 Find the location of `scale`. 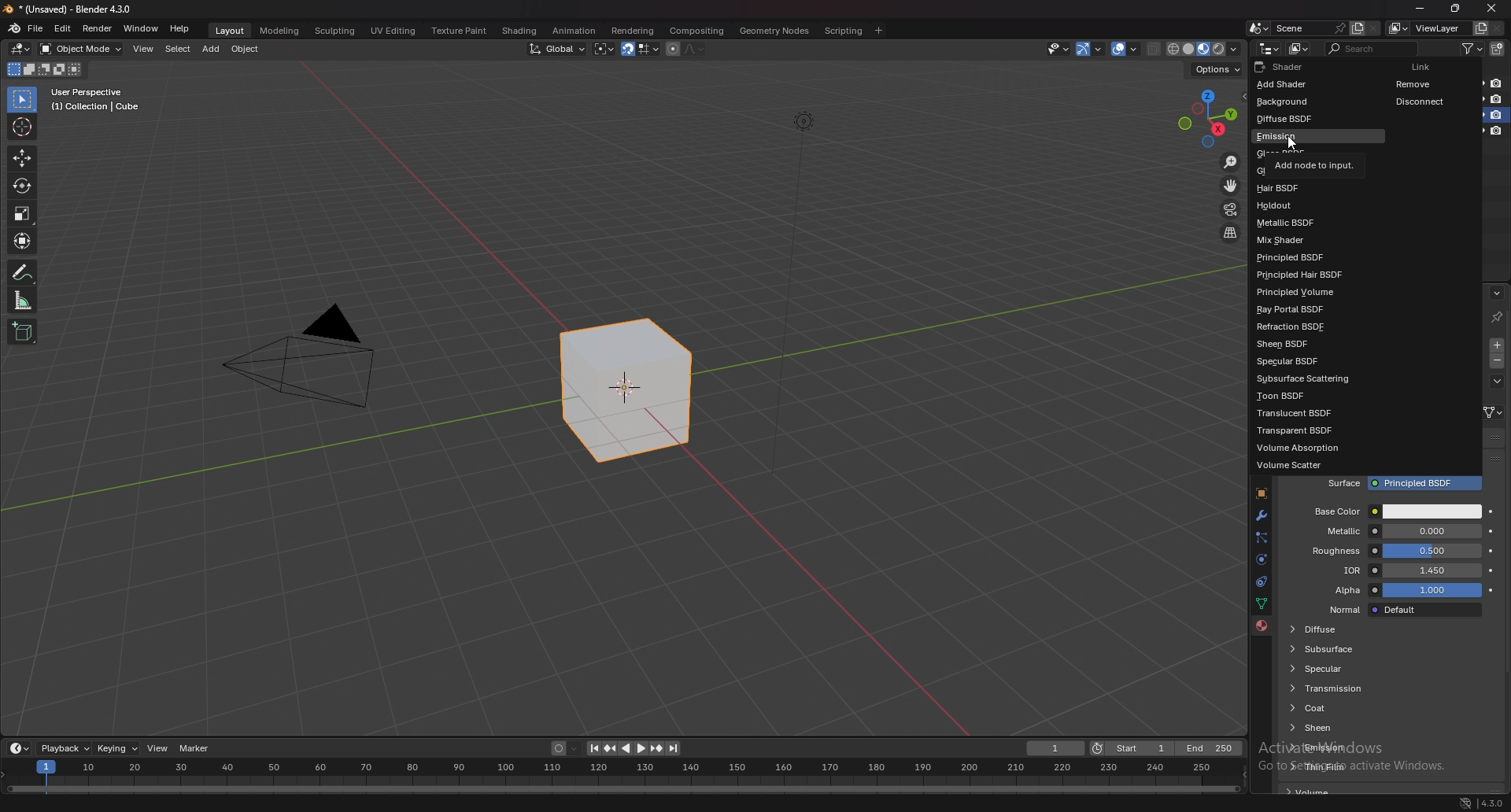

scale is located at coordinates (23, 212).